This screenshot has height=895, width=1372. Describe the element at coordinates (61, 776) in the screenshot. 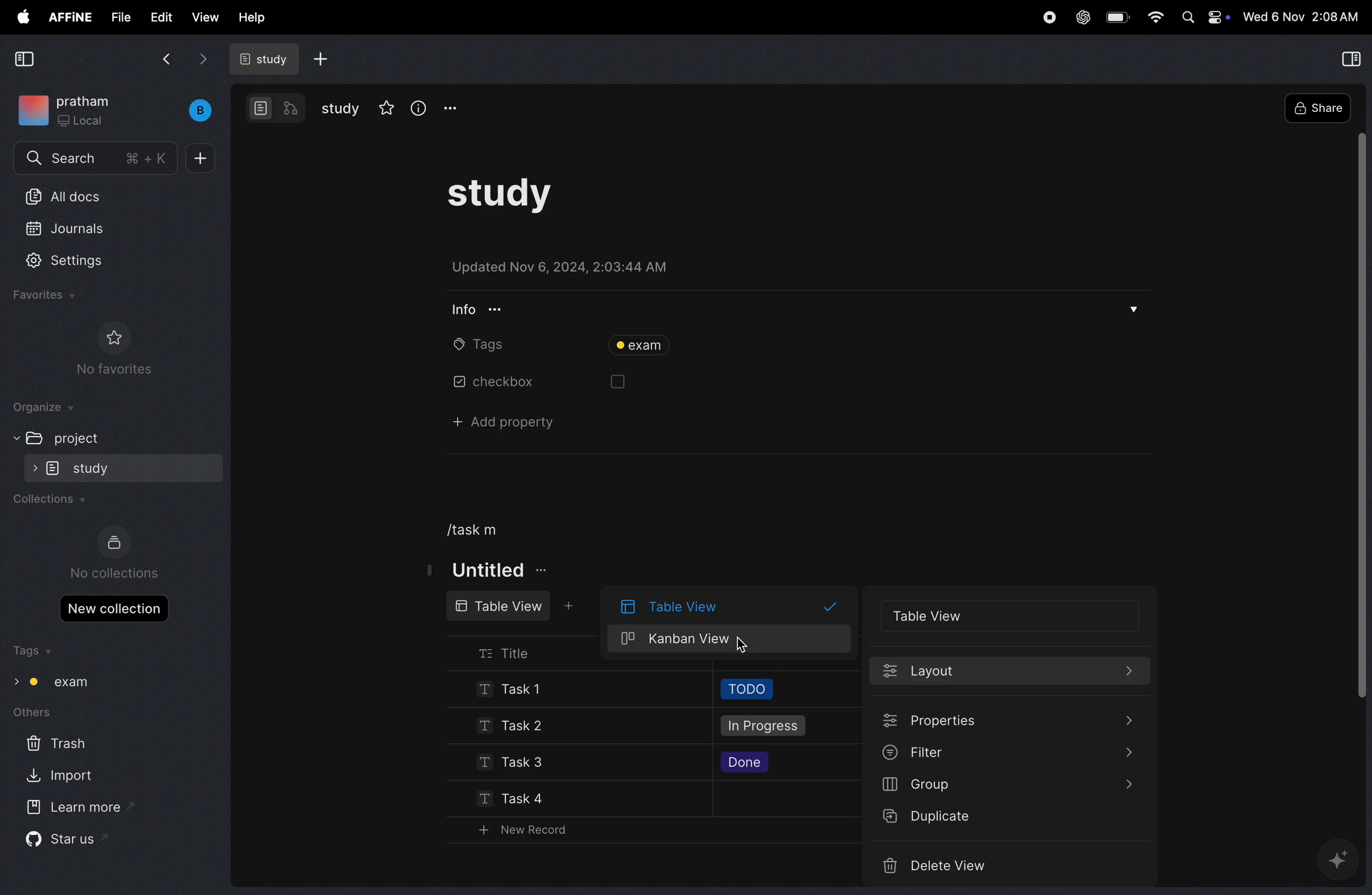

I see `import` at that location.